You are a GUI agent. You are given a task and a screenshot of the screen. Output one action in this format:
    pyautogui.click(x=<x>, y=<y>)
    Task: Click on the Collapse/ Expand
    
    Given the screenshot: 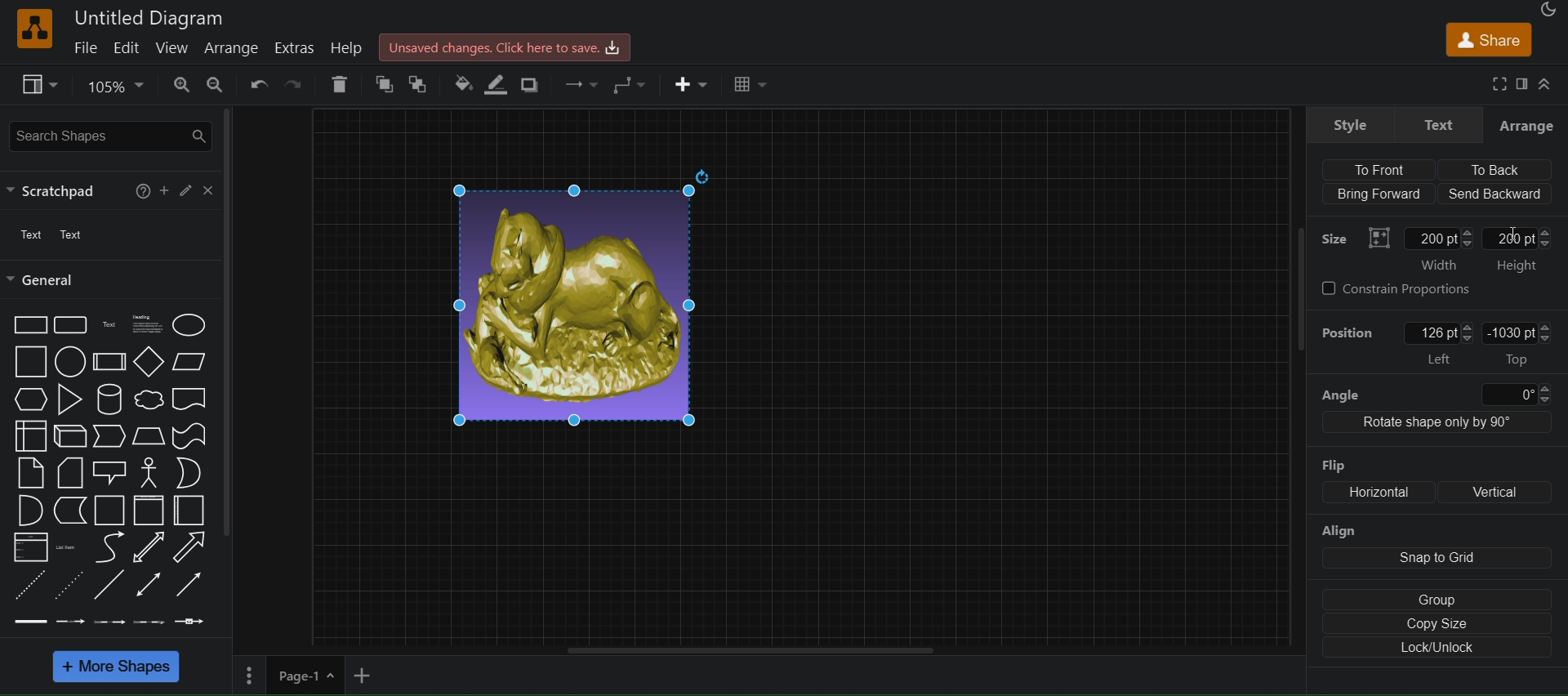 What is the action you would take?
    pyautogui.click(x=1546, y=86)
    